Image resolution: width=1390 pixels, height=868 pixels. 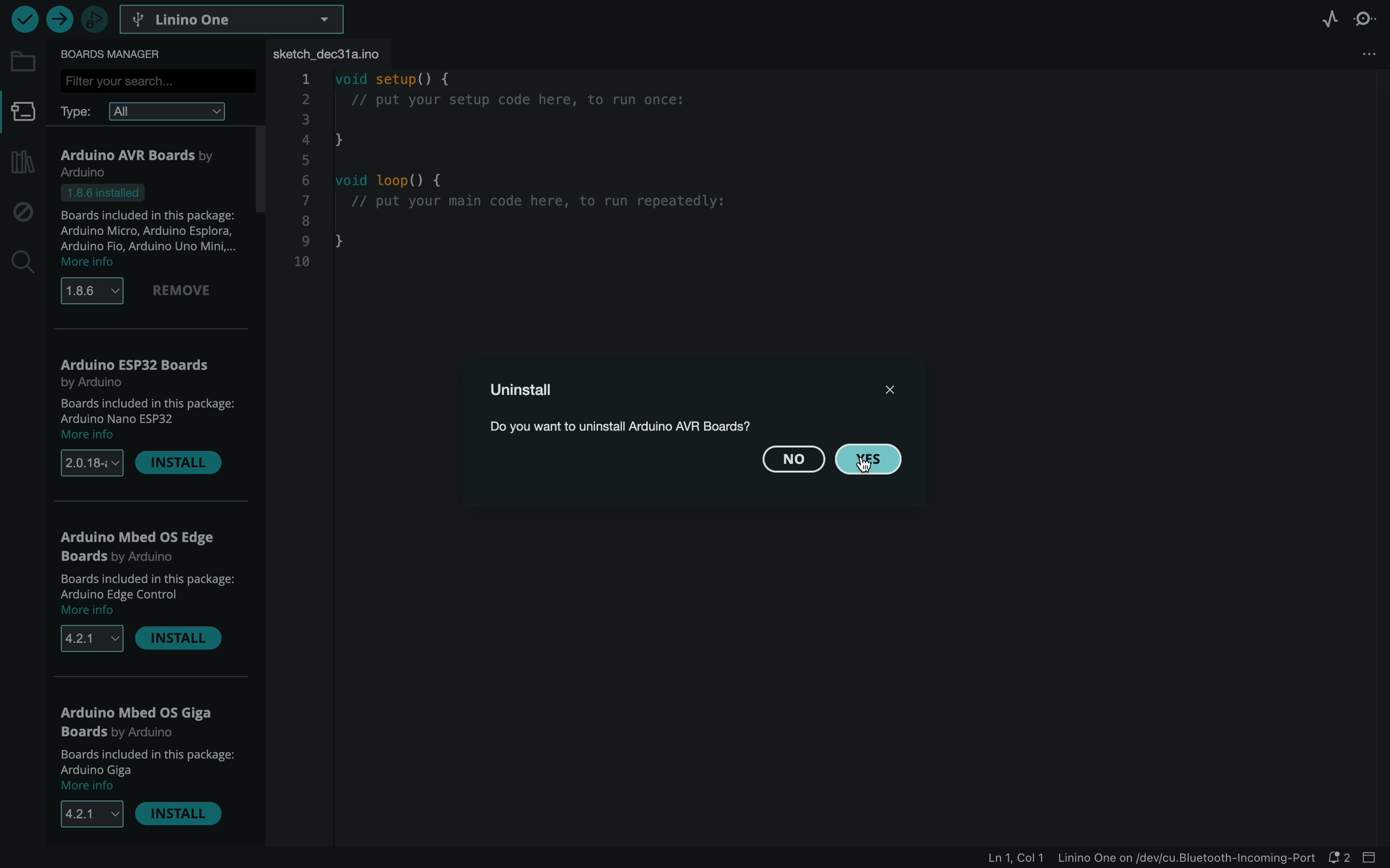 What do you see at coordinates (140, 548) in the screenshot?
I see `OS Edge boards` at bounding box center [140, 548].